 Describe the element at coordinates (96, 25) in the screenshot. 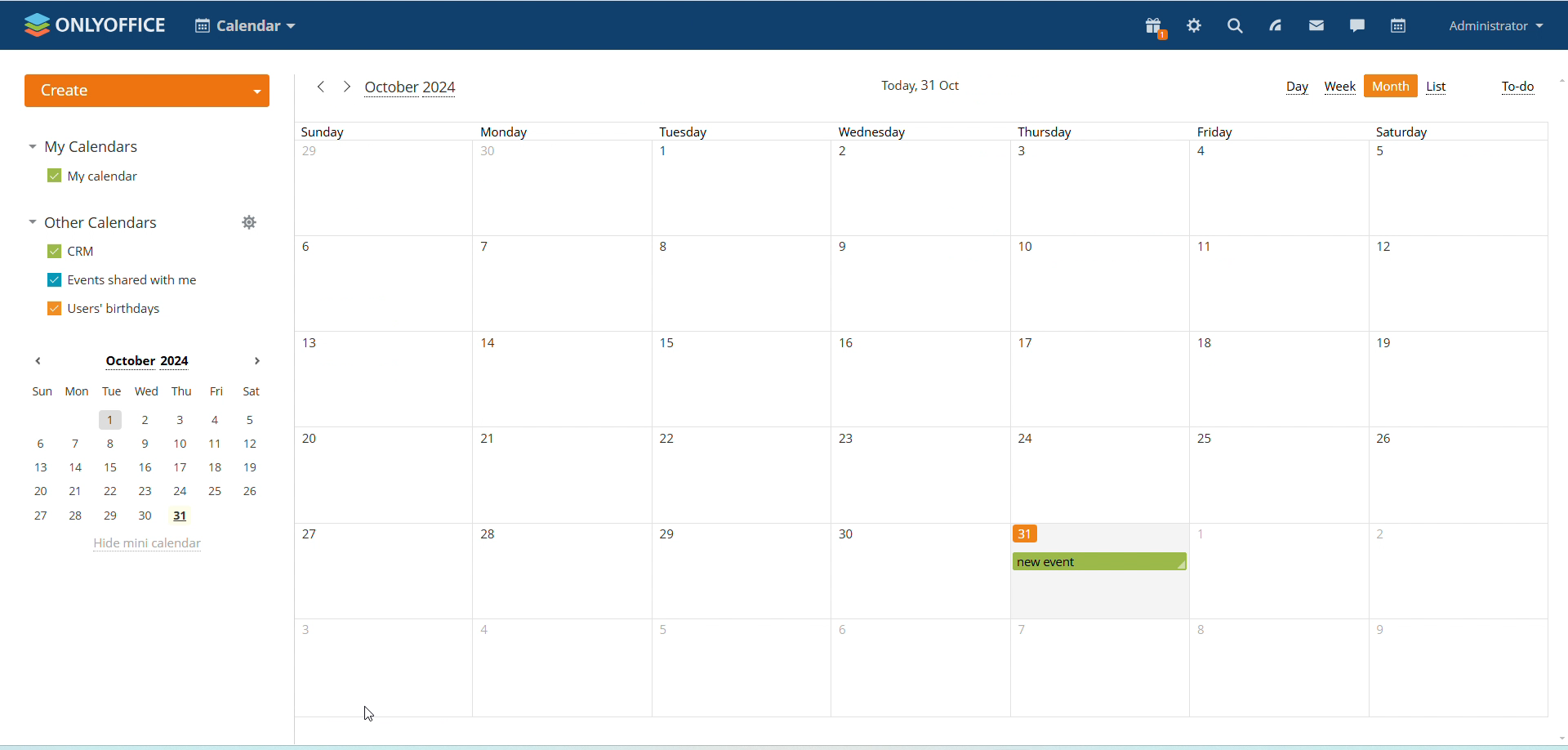

I see `logo` at that location.